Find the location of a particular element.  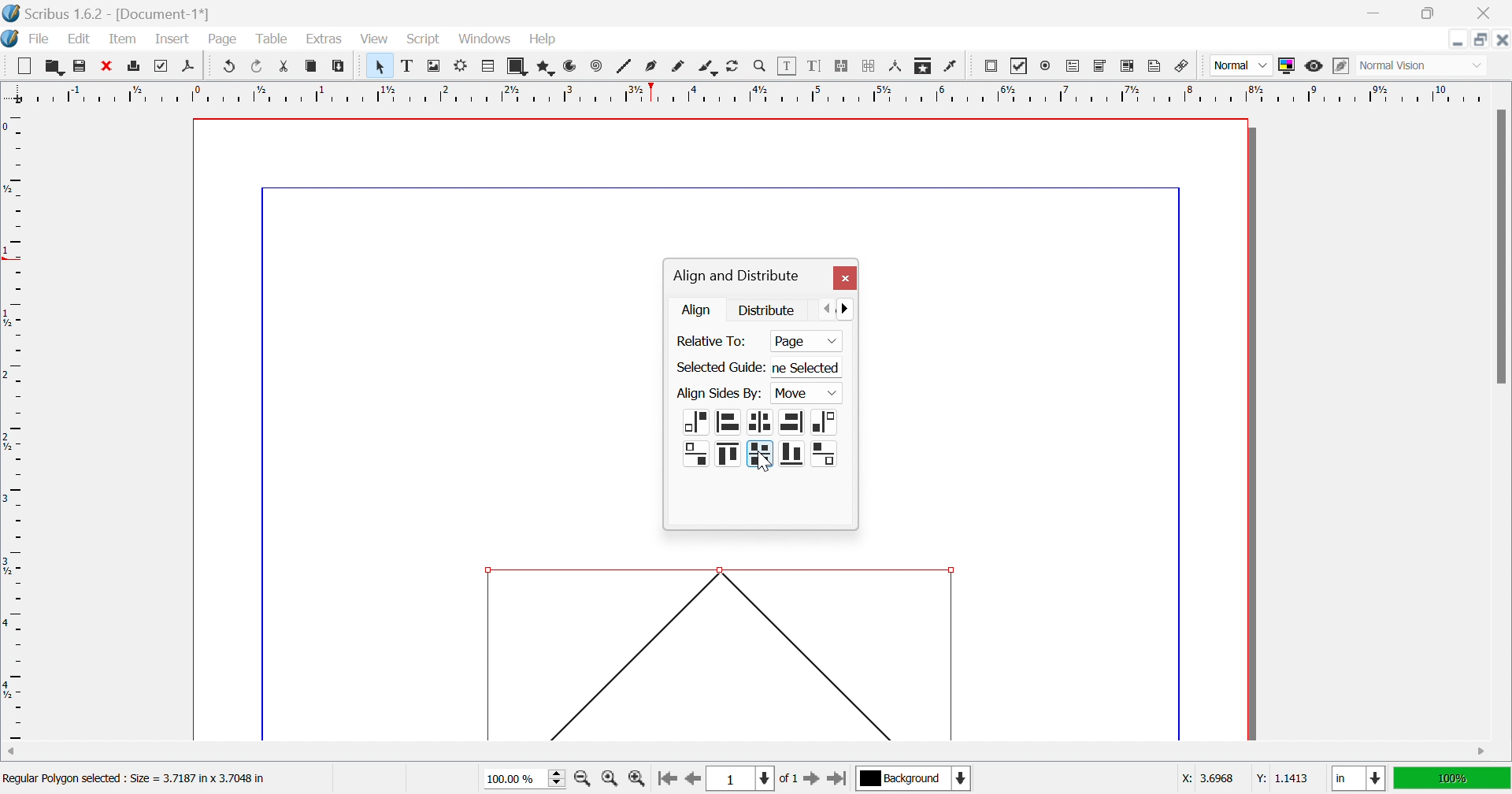

Align is located at coordinates (699, 310).